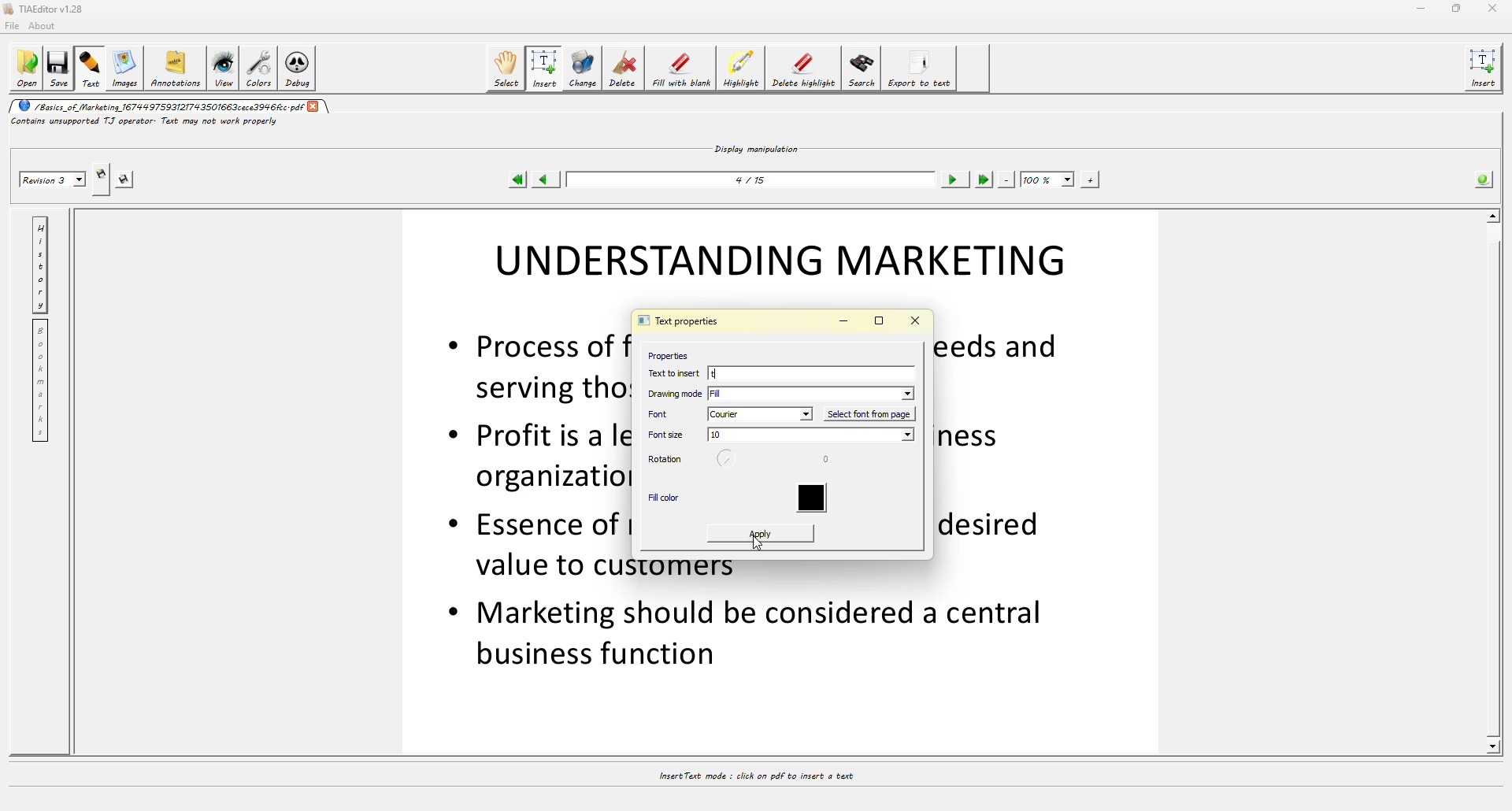 The height and width of the screenshot is (811, 1512). What do you see at coordinates (507, 67) in the screenshot?
I see `select` at bounding box center [507, 67].